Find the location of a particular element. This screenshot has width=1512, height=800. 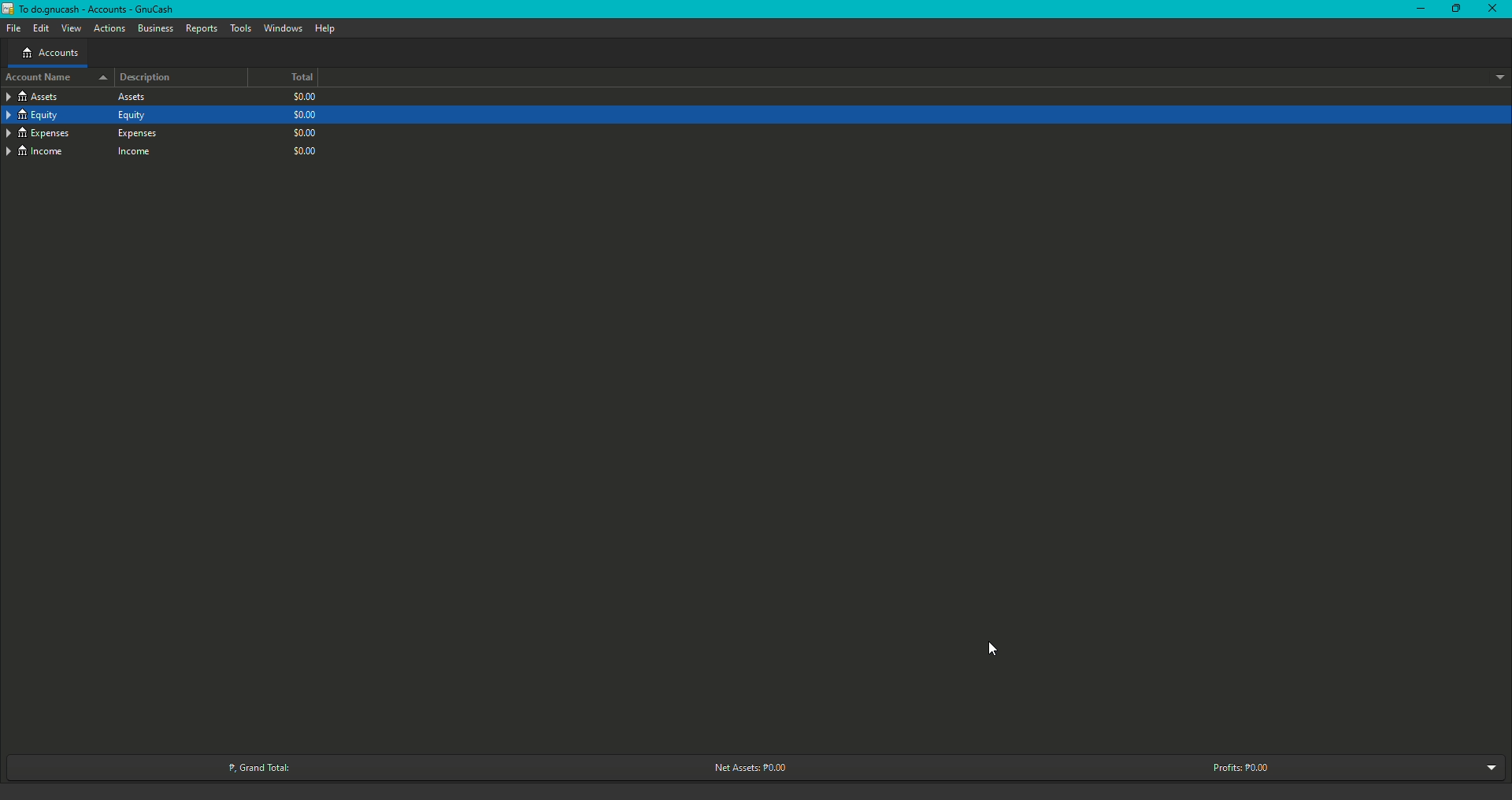

View is located at coordinates (70, 28).